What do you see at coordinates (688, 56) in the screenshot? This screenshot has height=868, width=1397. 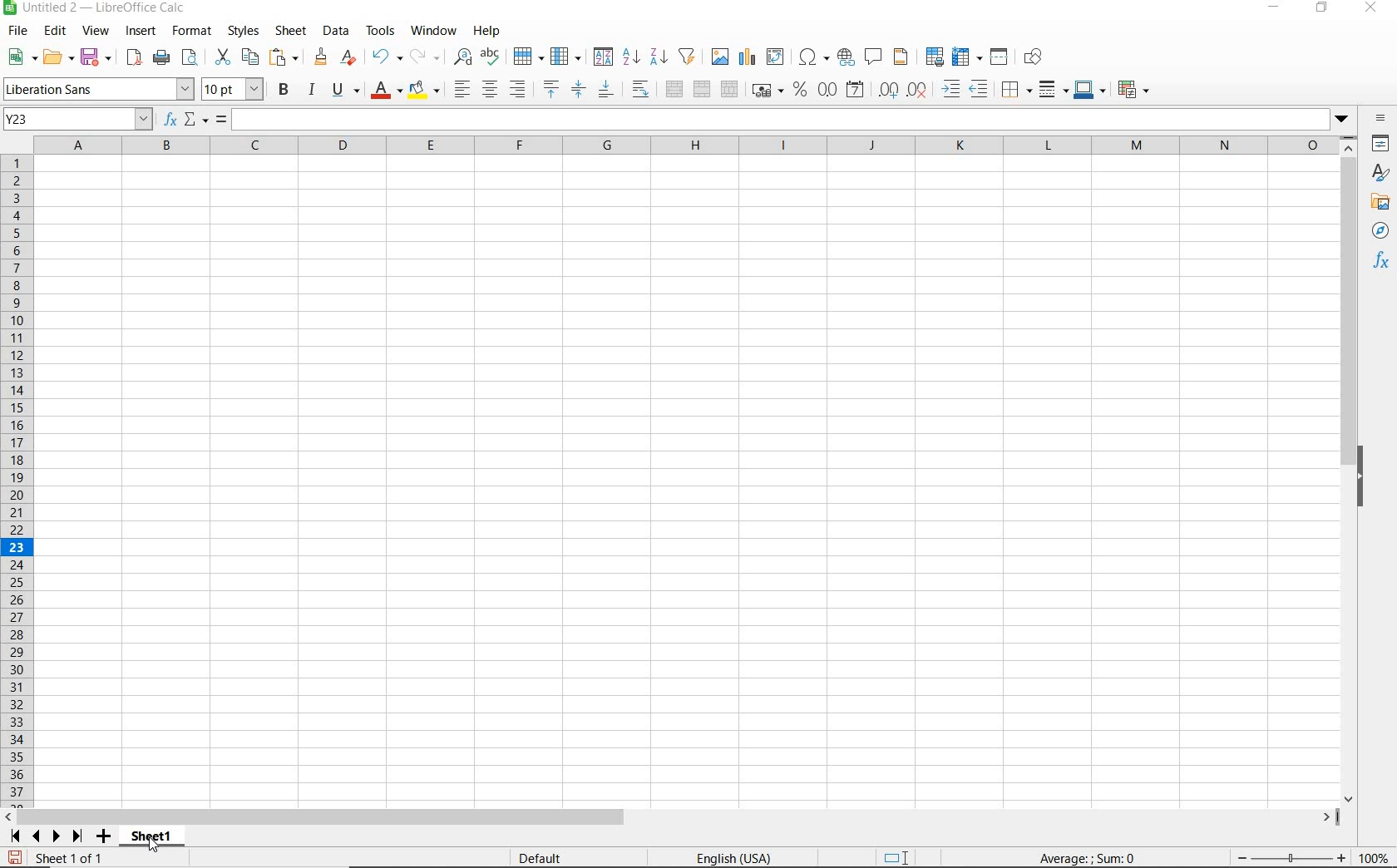 I see `AUTOFILTER` at bounding box center [688, 56].